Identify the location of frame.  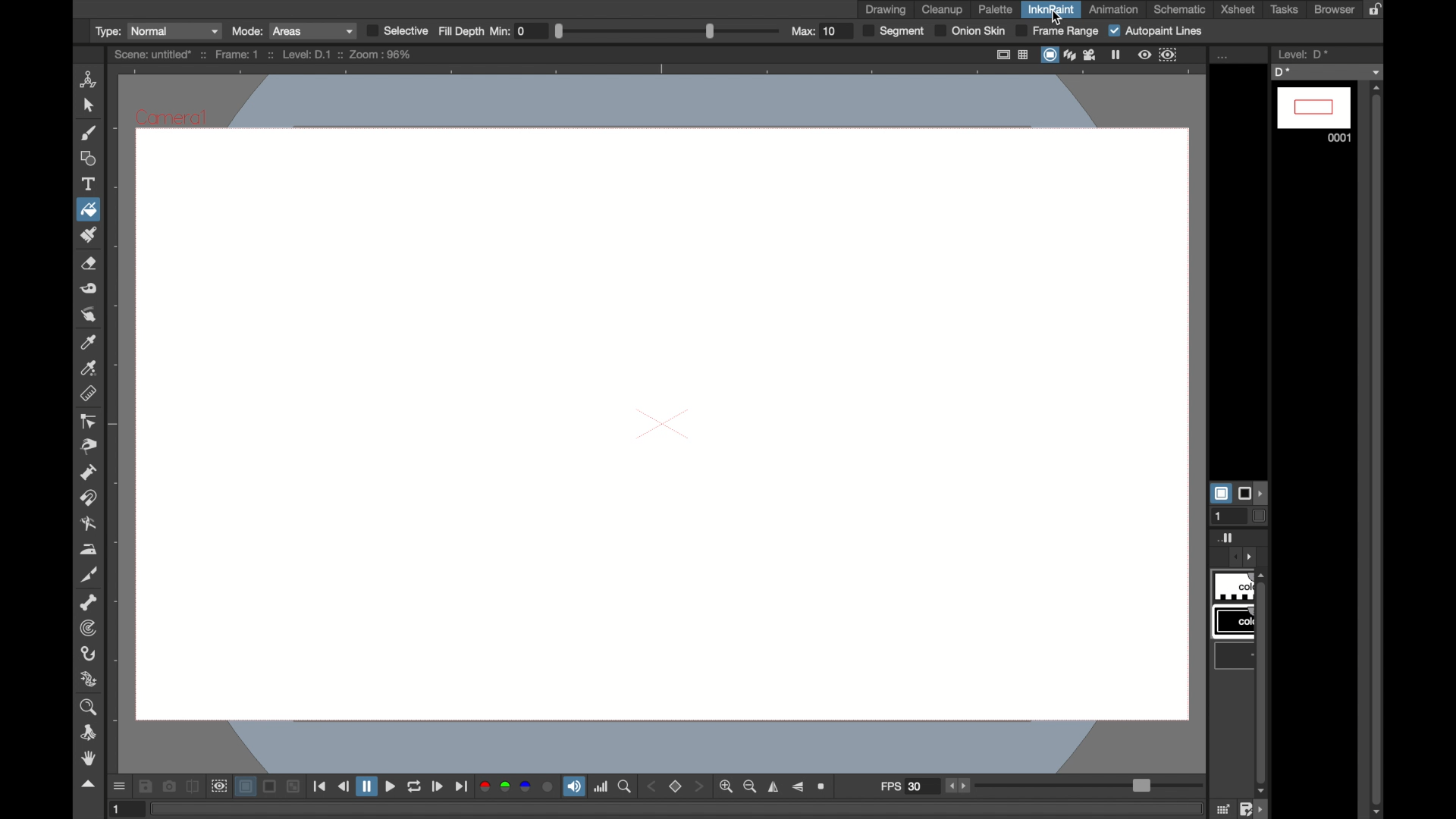
(1169, 55).